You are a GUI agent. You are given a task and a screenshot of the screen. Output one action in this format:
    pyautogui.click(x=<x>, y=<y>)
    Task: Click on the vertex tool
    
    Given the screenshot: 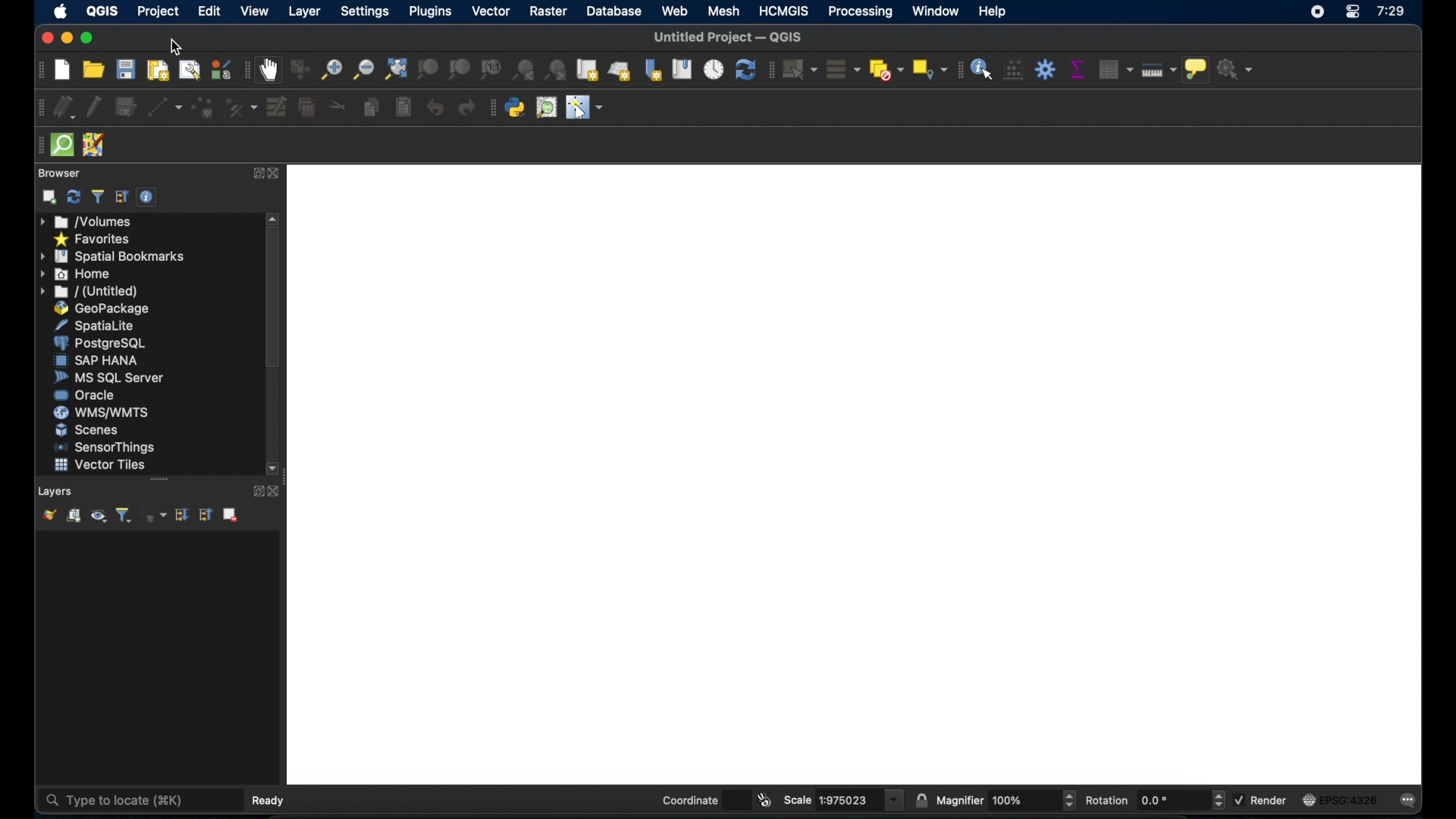 What is the action you would take?
    pyautogui.click(x=240, y=108)
    